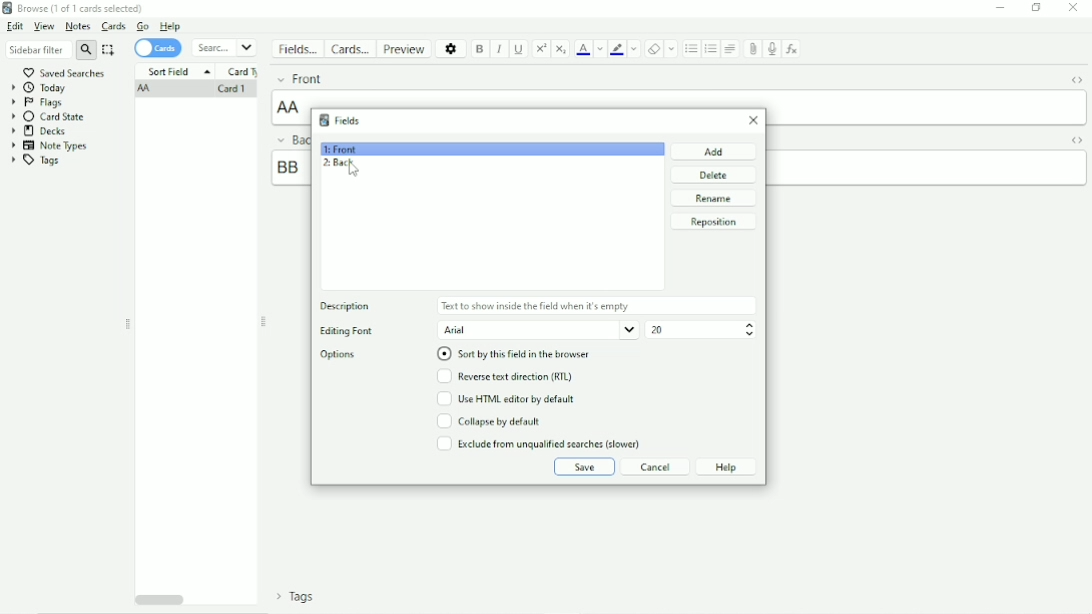  What do you see at coordinates (346, 332) in the screenshot?
I see `Editing Font` at bounding box center [346, 332].